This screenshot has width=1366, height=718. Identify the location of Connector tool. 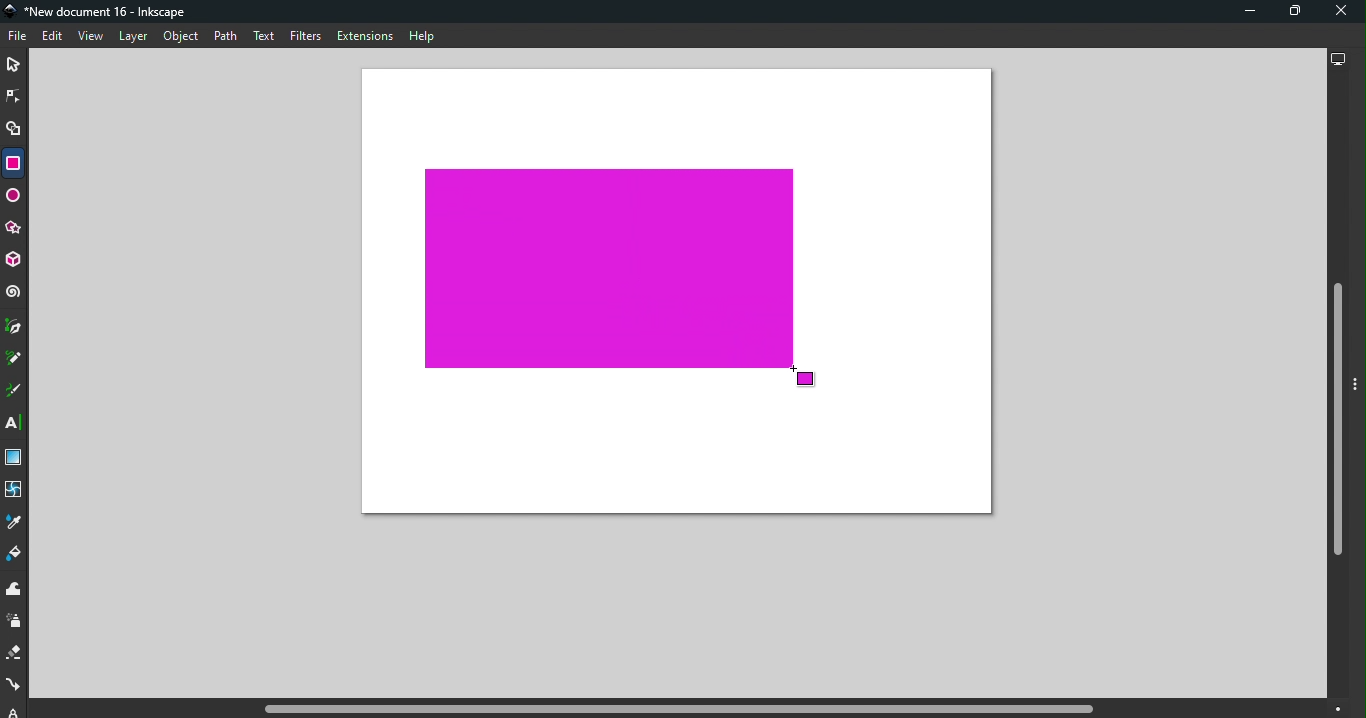
(14, 686).